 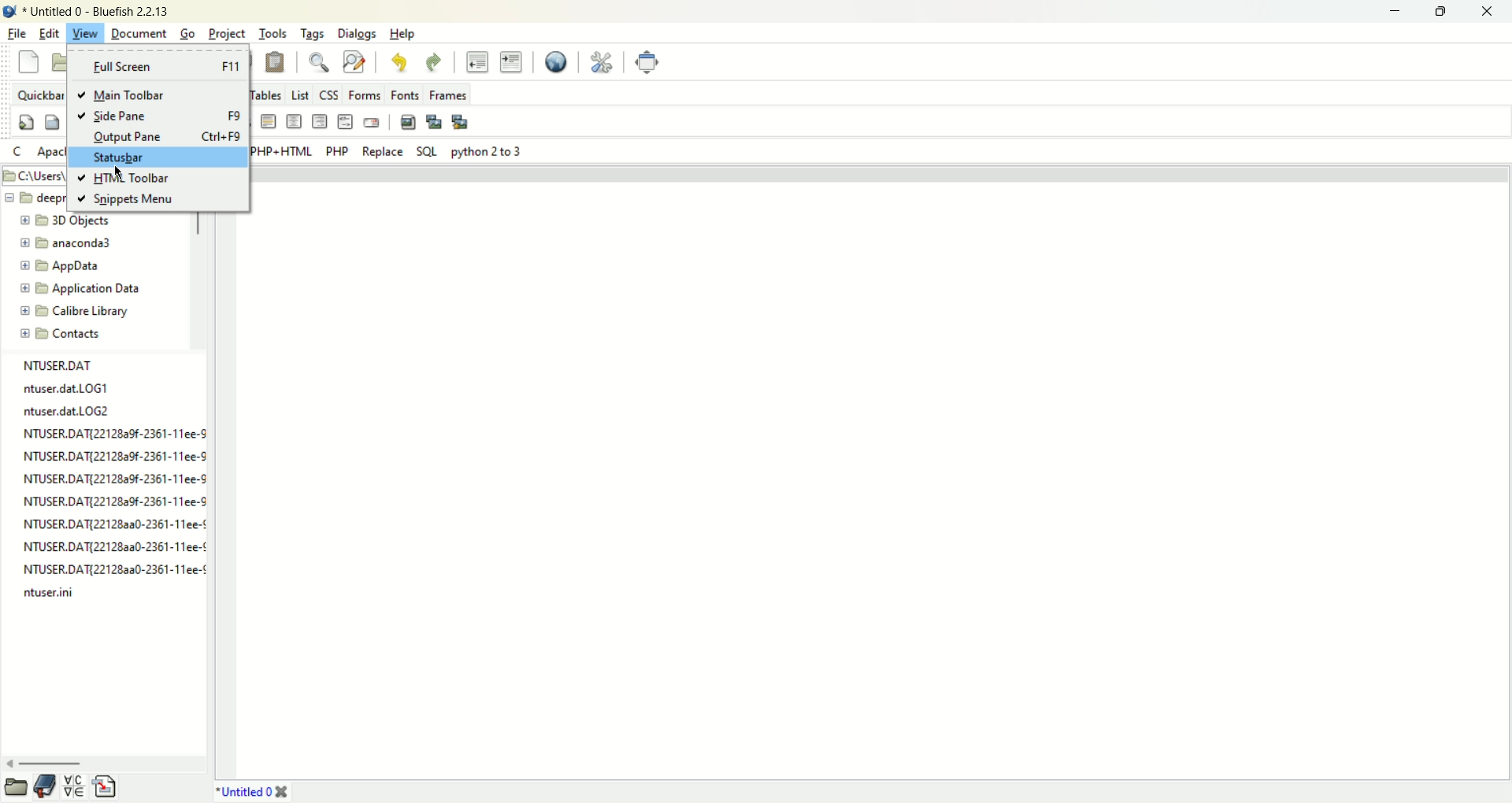 What do you see at coordinates (140, 36) in the screenshot?
I see `Document` at bounding box center [140, 36].